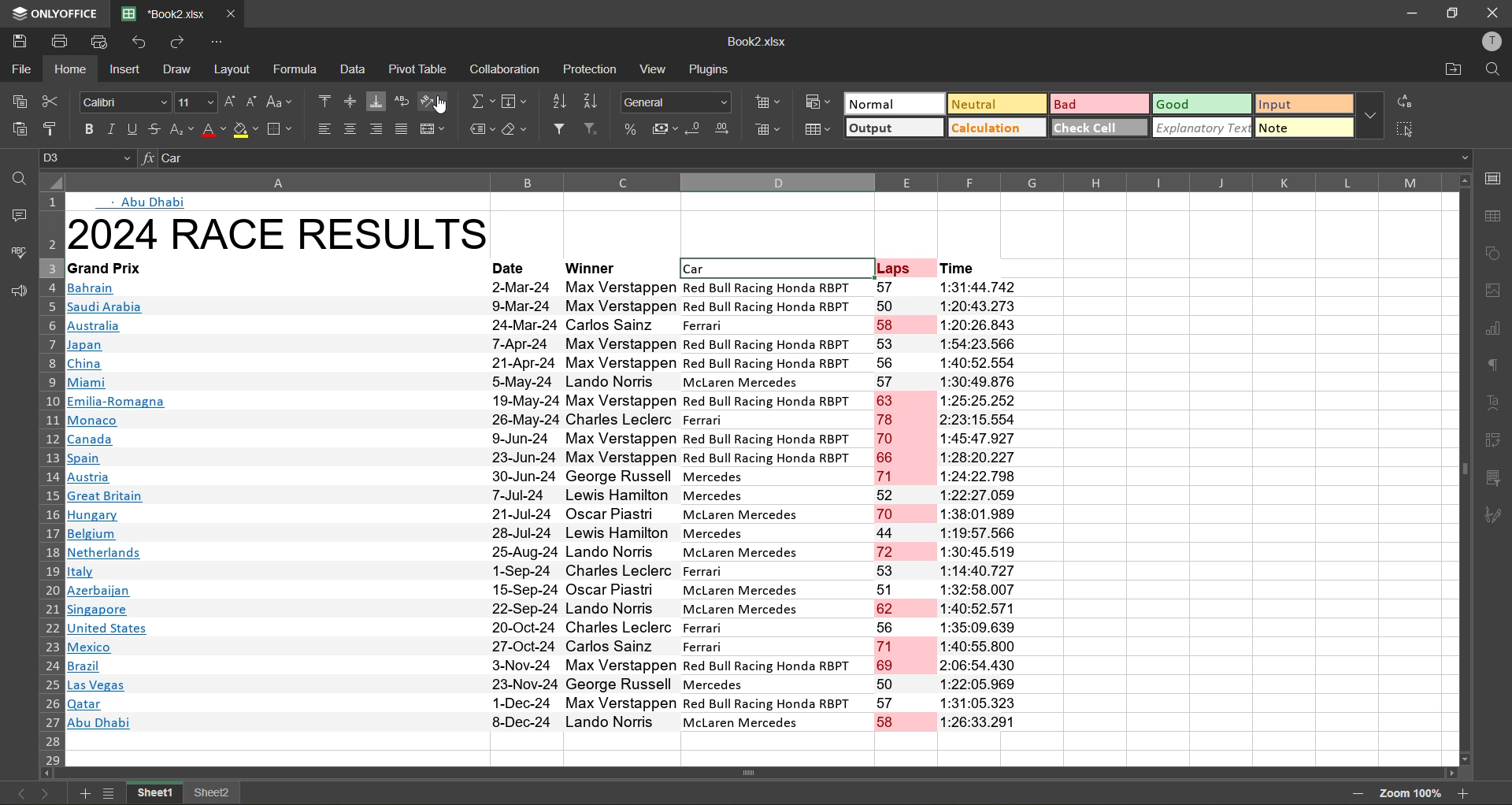 This screenshot has width=1512, height=805. Describe the element at coordinates (99, 39) in the screenshot. I see `quick print` at that location.